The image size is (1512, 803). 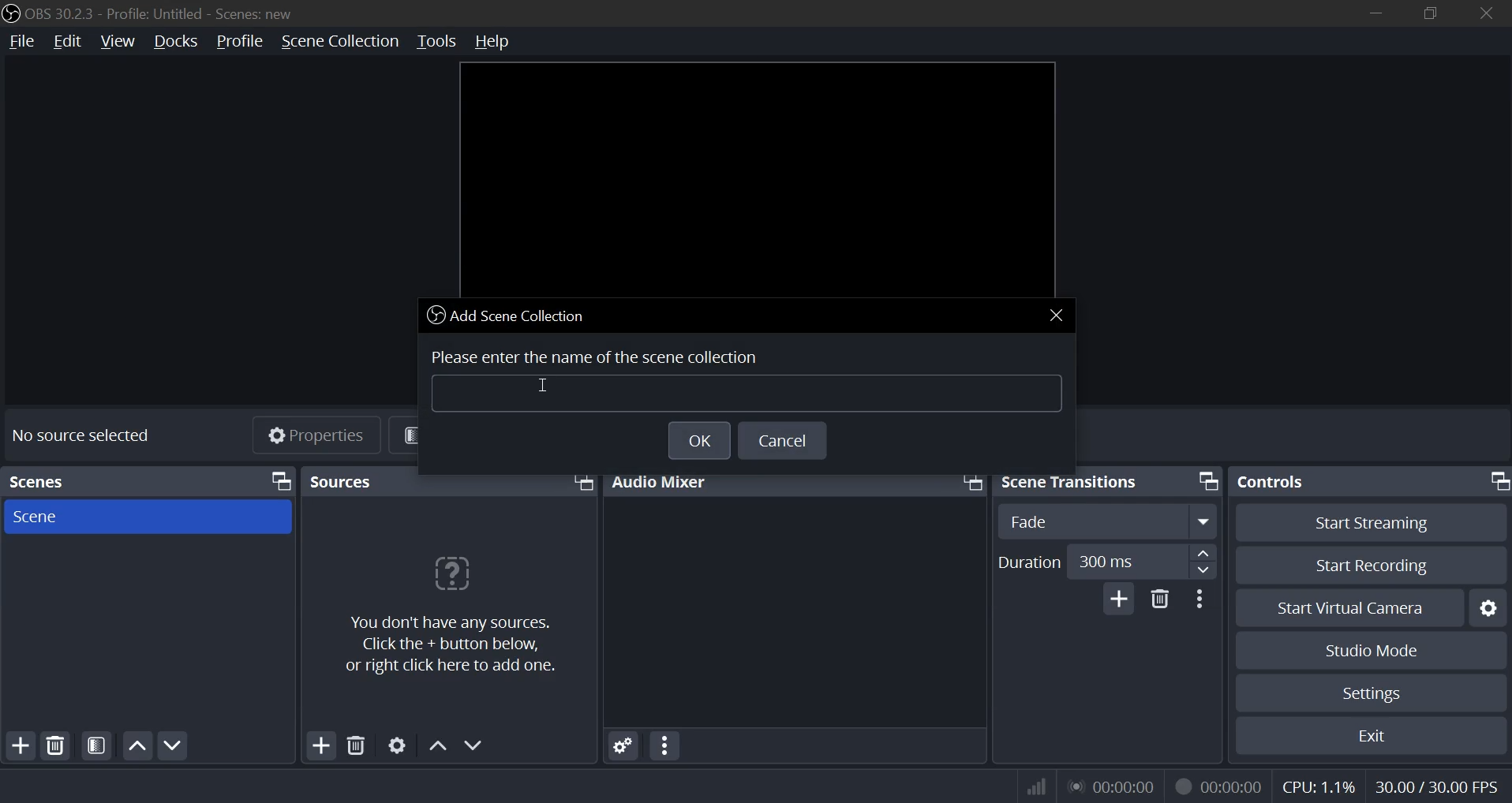 I want to click on view, so click(x=119, y=42).